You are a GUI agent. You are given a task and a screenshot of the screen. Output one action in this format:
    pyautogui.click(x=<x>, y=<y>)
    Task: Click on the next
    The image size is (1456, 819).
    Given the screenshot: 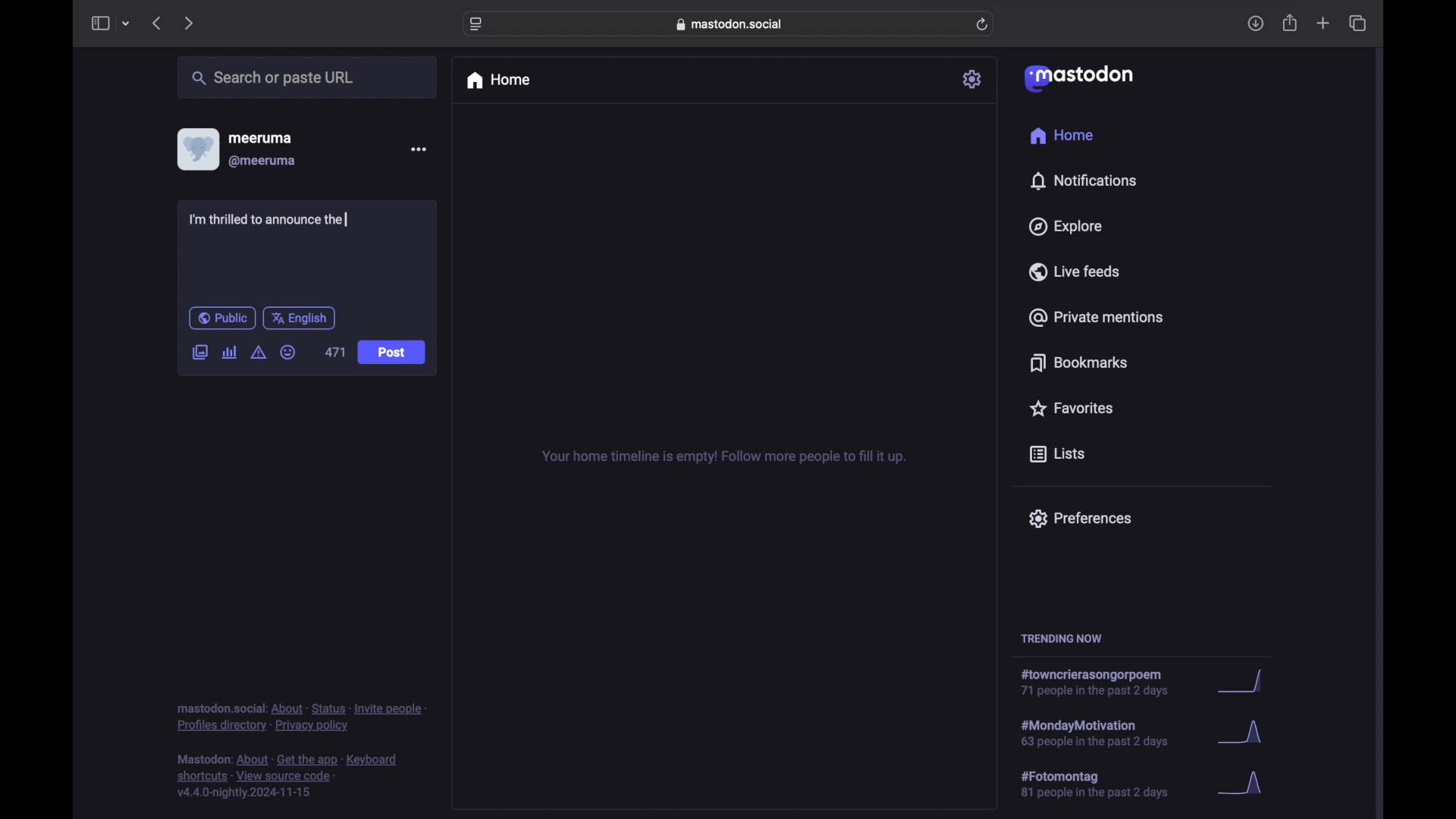 What is the action you would take?
    pyautogui.click(x=188, y=24)
    